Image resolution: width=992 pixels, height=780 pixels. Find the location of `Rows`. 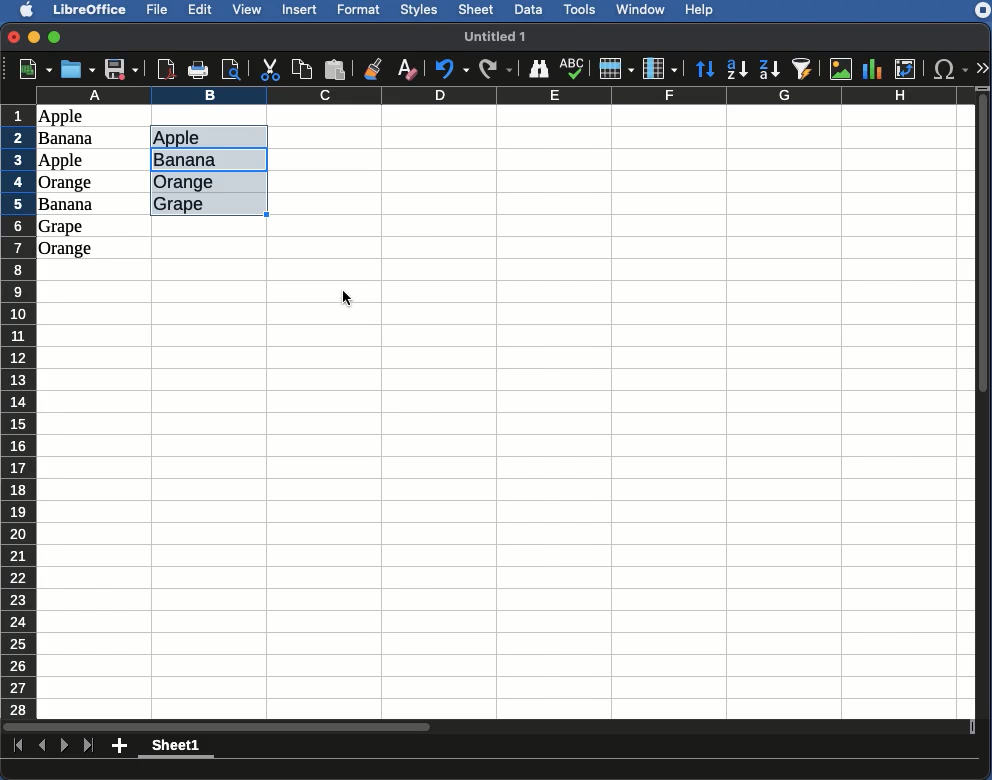

Rows is located at coordinates (19, 408).